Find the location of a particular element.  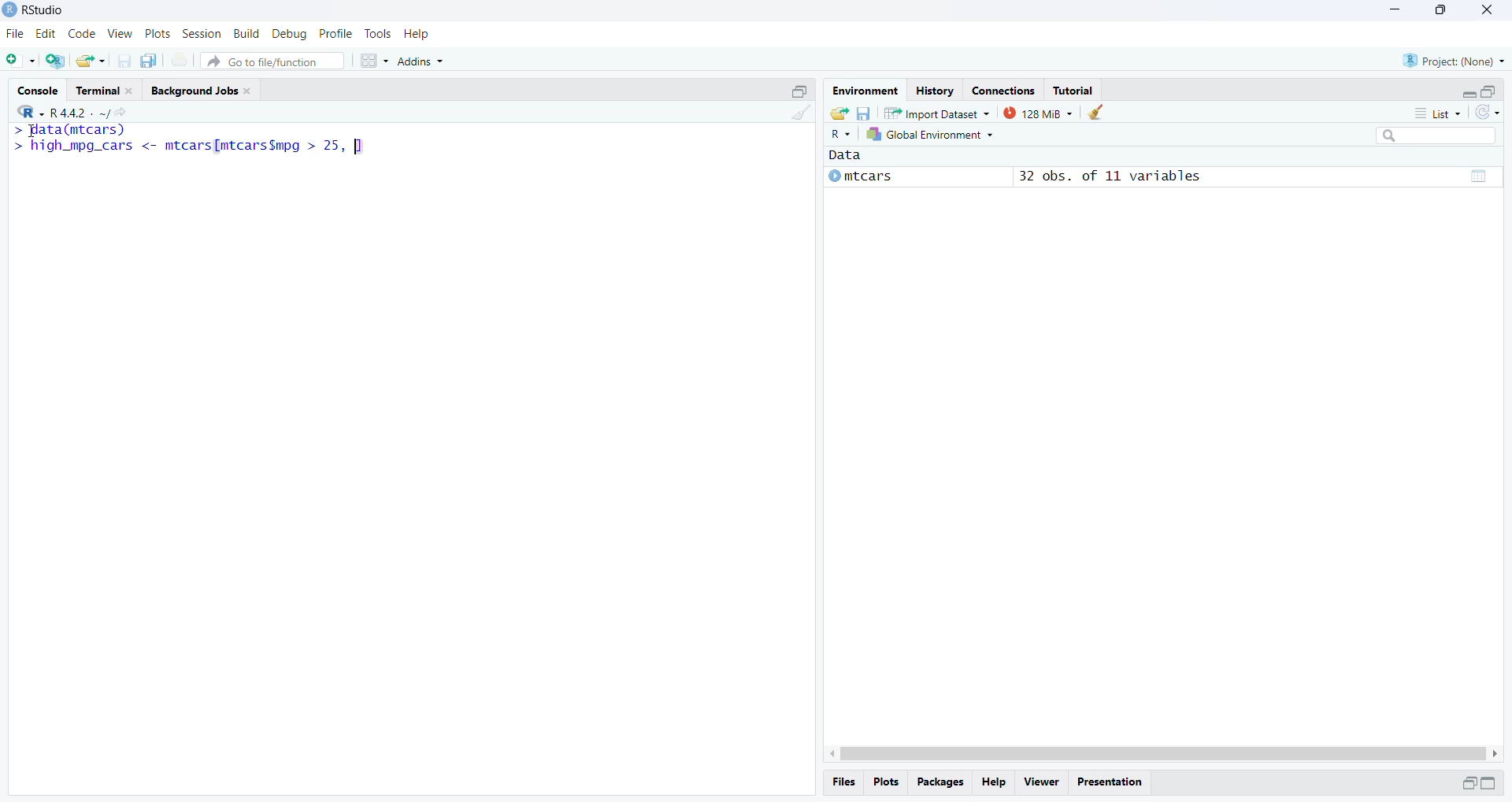

minimize is located at coordinates (799, 90).